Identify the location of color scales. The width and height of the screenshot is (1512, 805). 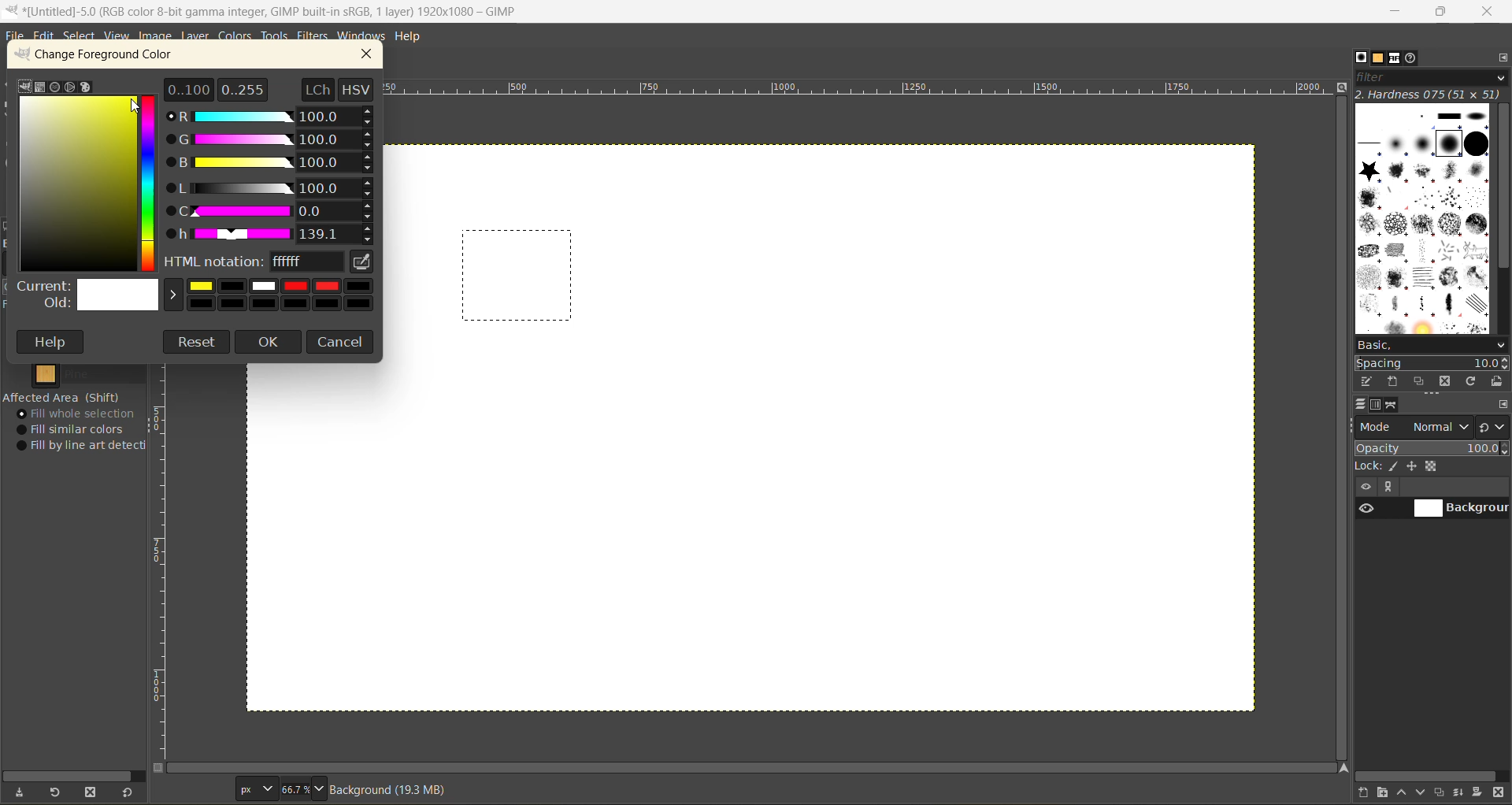
(273, 176).